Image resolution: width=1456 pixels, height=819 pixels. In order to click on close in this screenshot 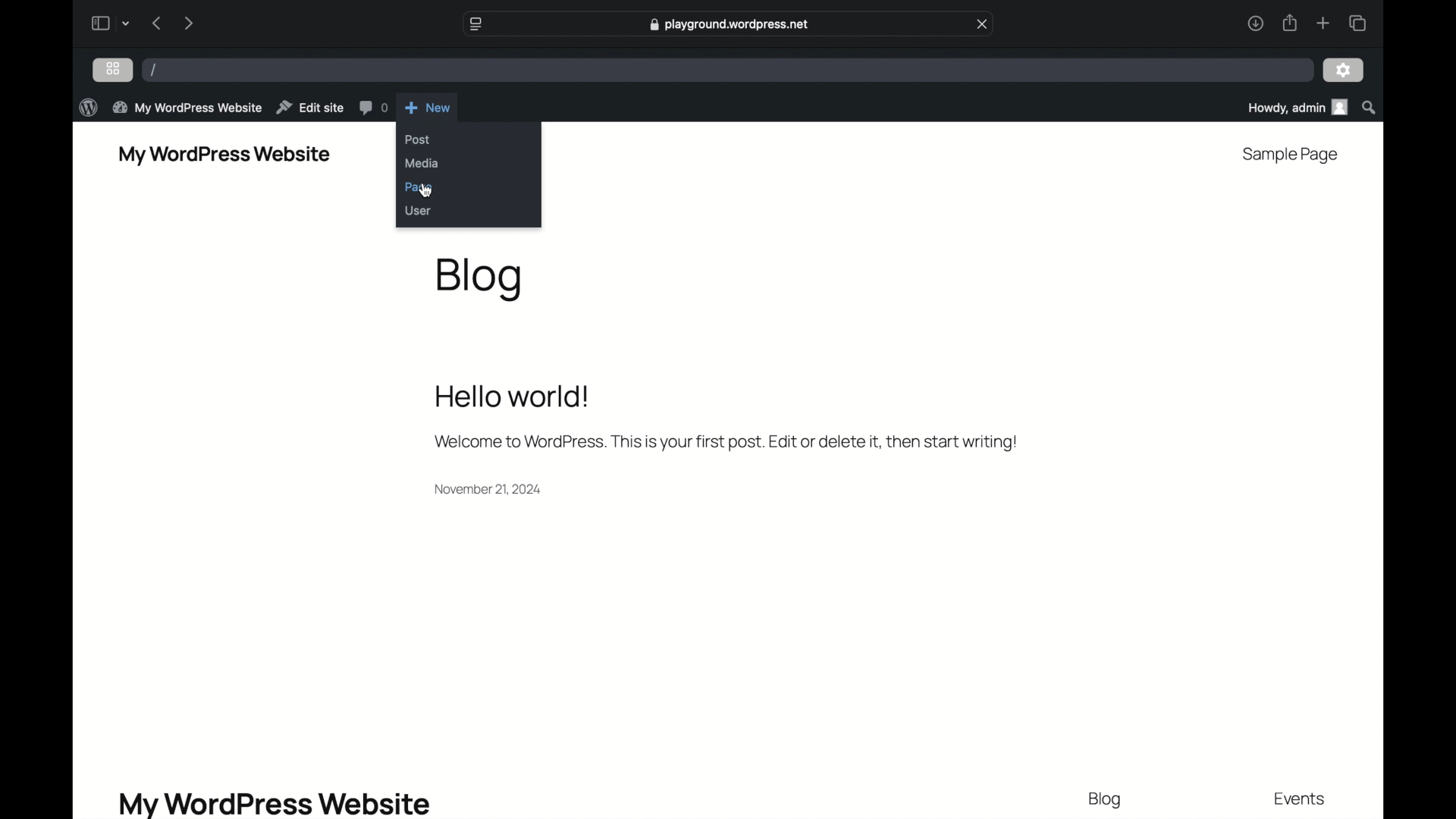, I will do `click(983, 24)`.